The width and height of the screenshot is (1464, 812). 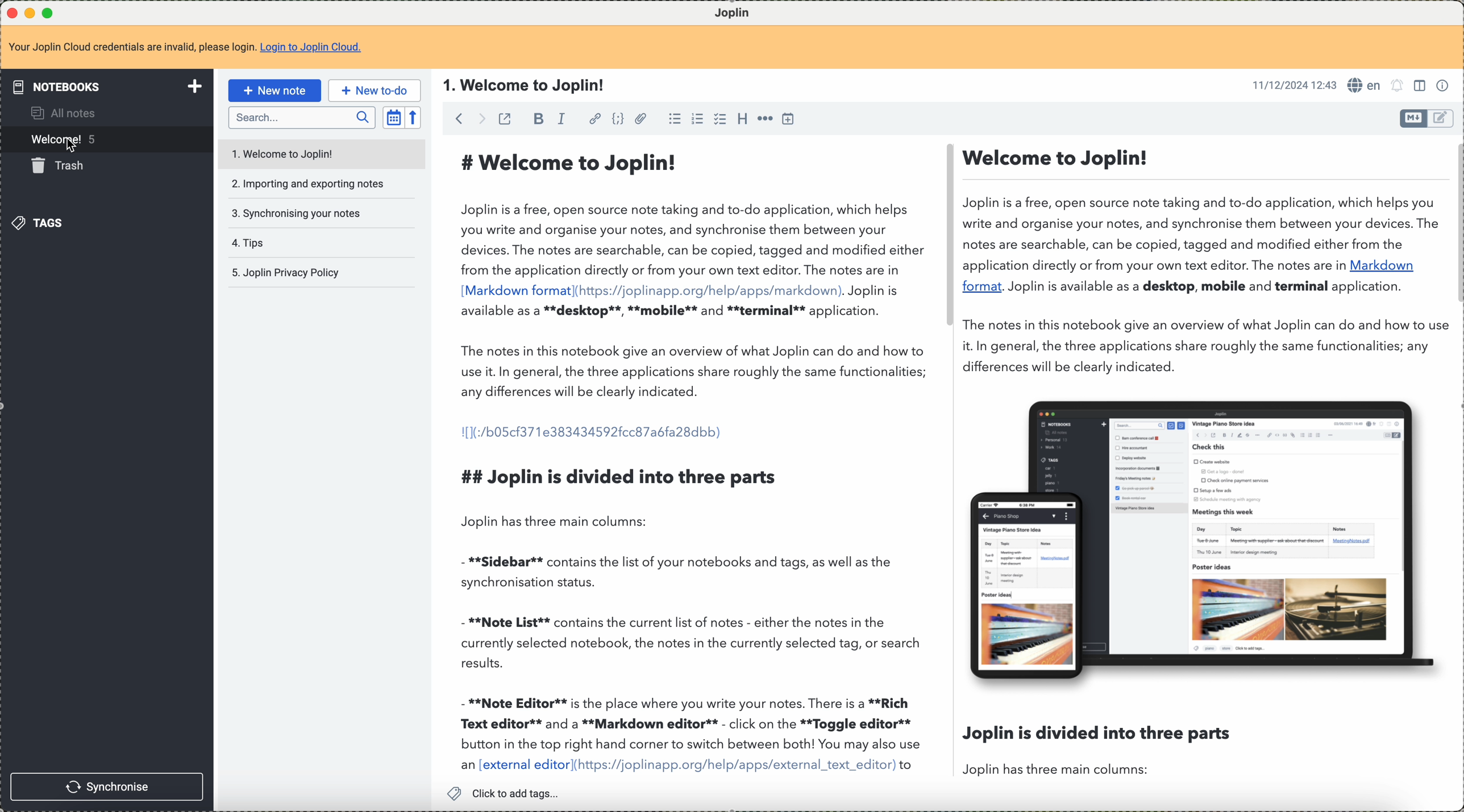 What do you see at coordinates (50, 14) in the screenshot?
I see `maximize Joplin` at bounding box center [50, 14].